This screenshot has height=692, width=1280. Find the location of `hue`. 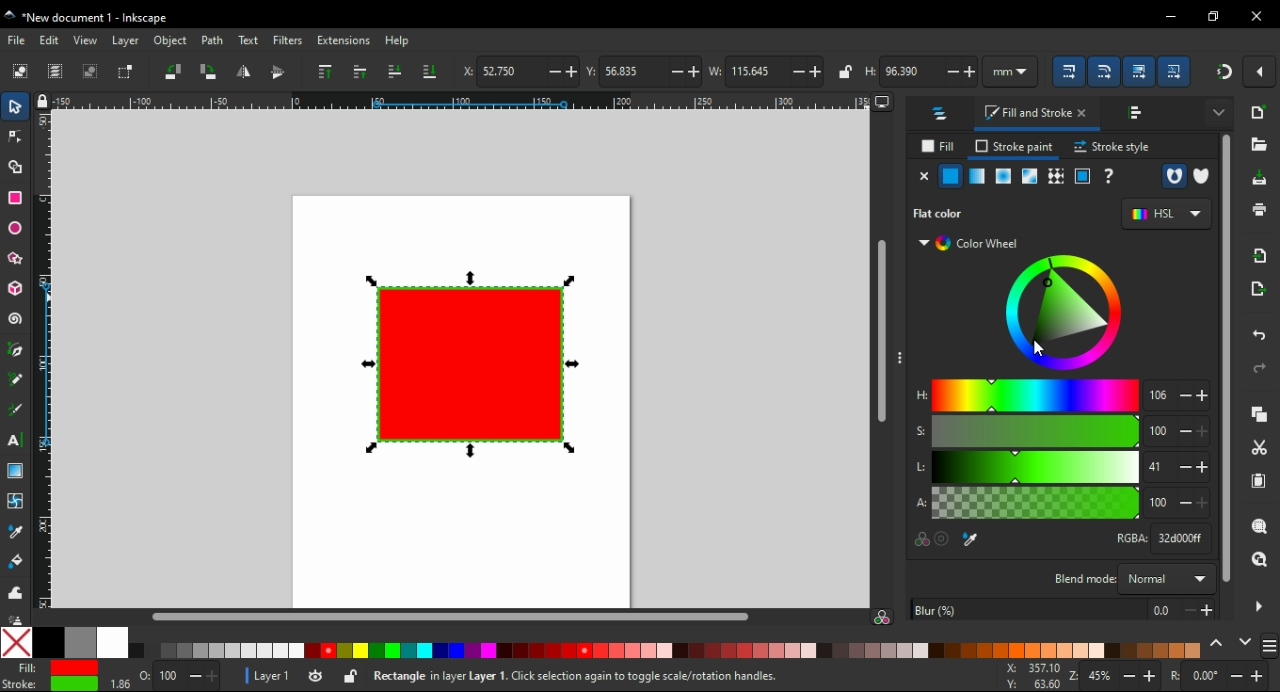

hue is located at coordinates (1036, 395).